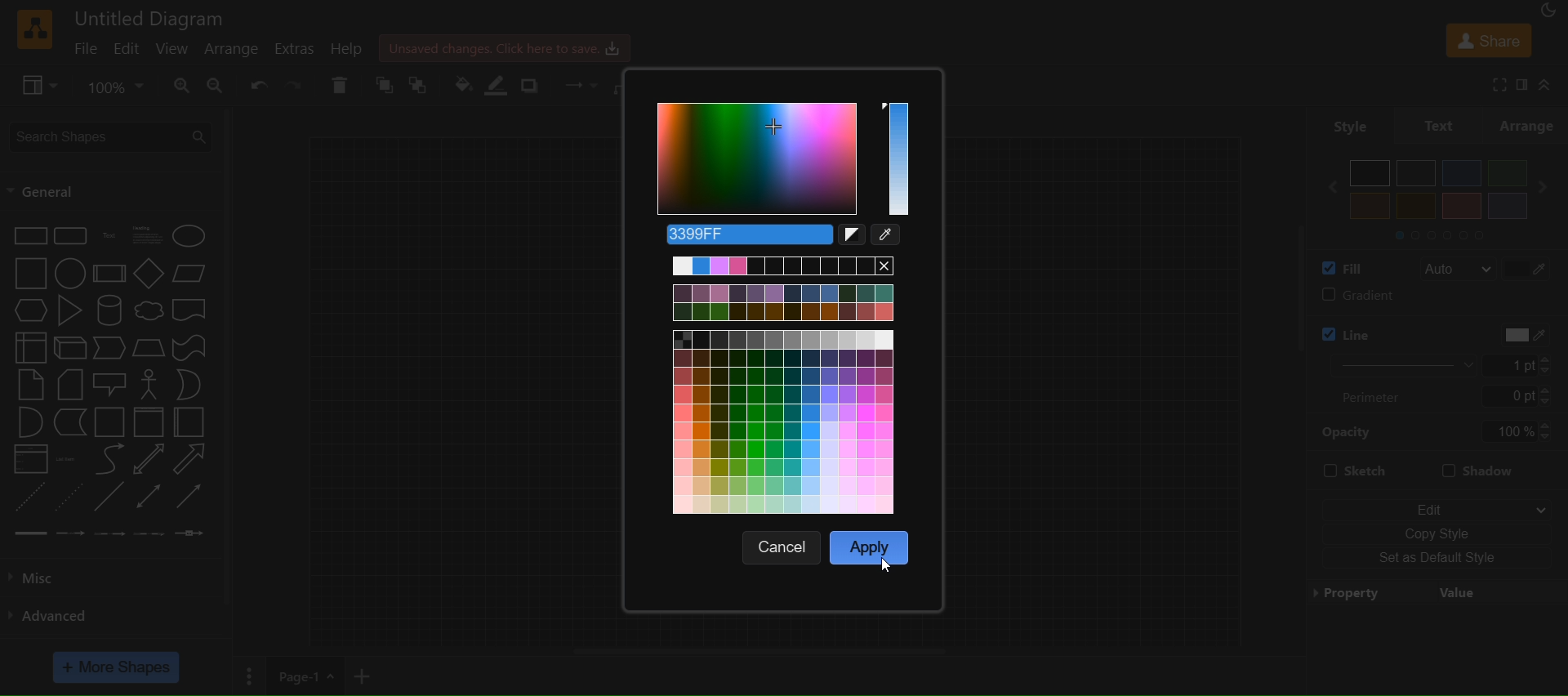 The width and height of the screenshot is (1568, 696). Describe the element at coordinates (33, 29) in the screenshot. I see `logo` at that location.